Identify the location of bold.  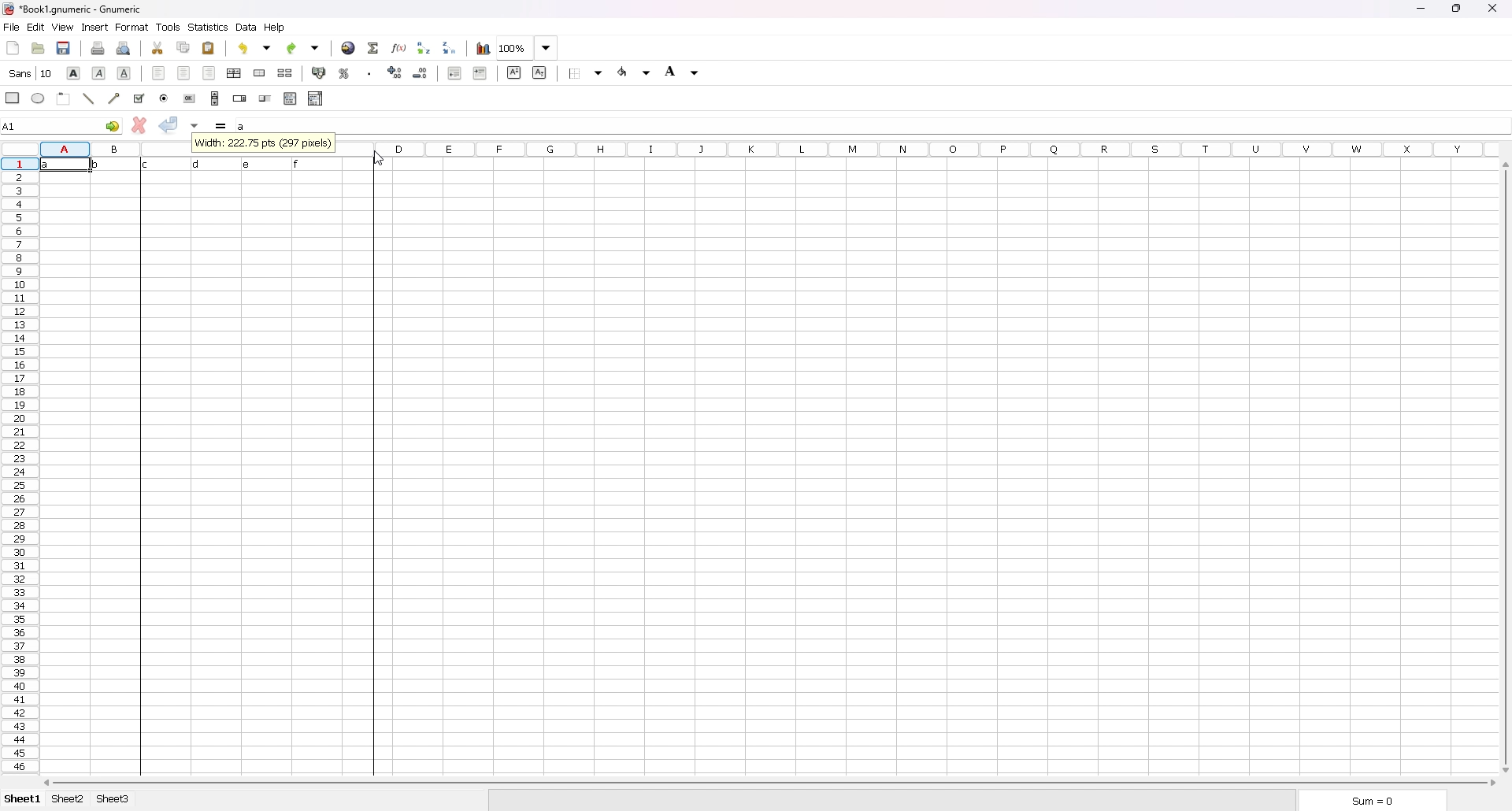
(74, 72).